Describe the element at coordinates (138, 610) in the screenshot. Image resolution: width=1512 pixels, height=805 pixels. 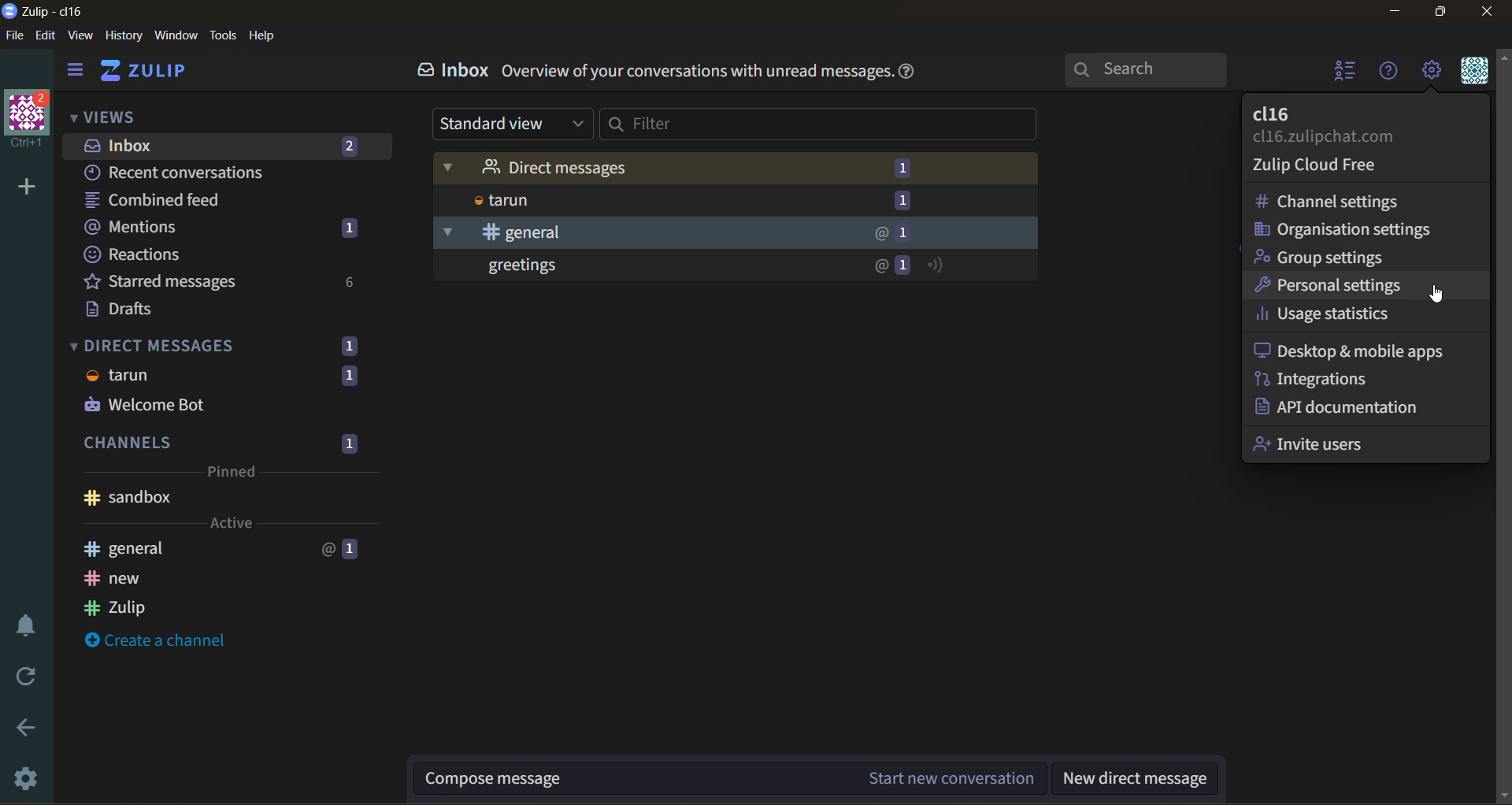
I see `zulip` at that location.